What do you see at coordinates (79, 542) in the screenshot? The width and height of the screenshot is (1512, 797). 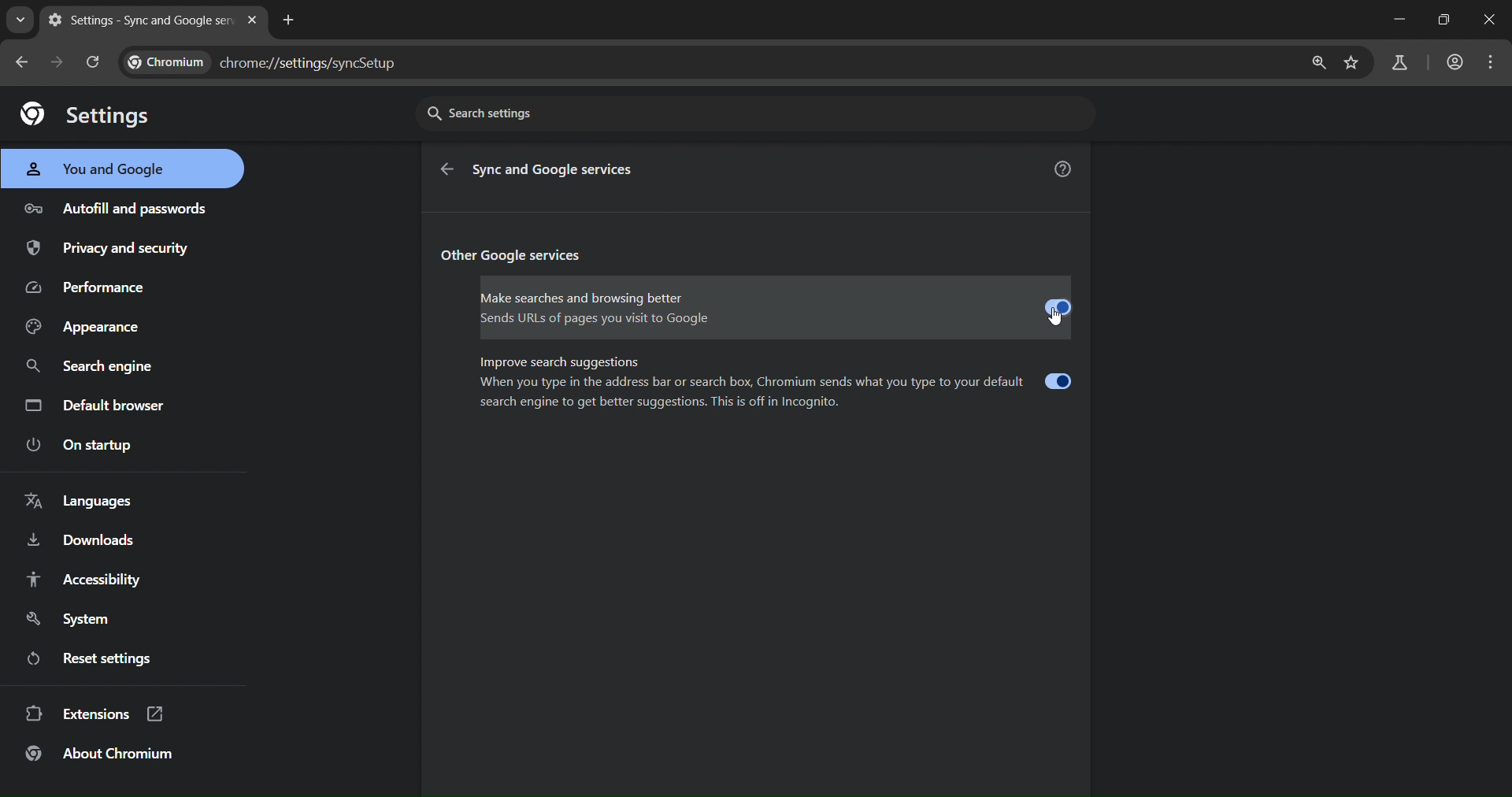 I see `downloads` at bounding box center [79, 542].